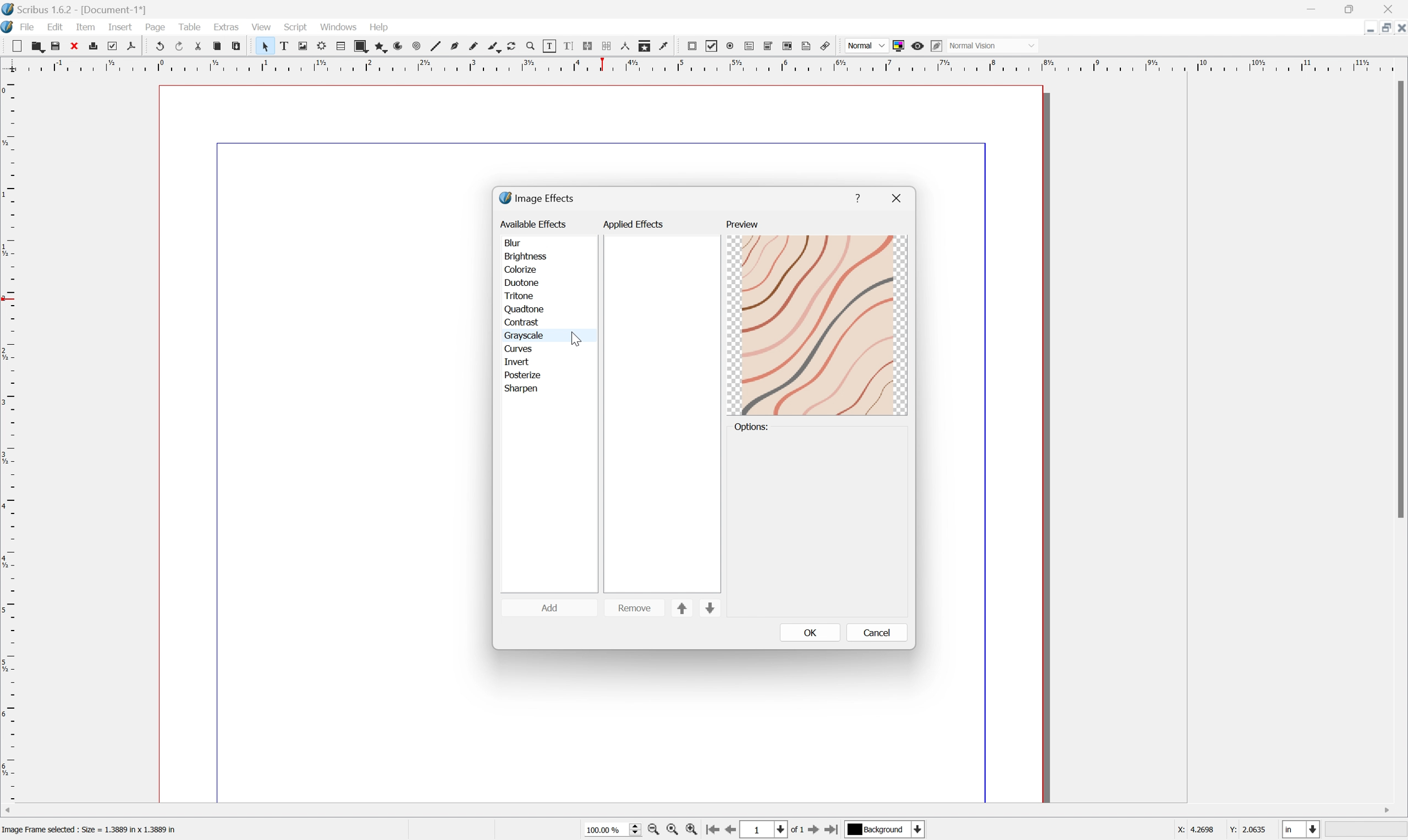 The image size is (1408, 840). Describe the element at coordinates (550, 45) in the screenshot. I see `Edit contents of frame` at that location.